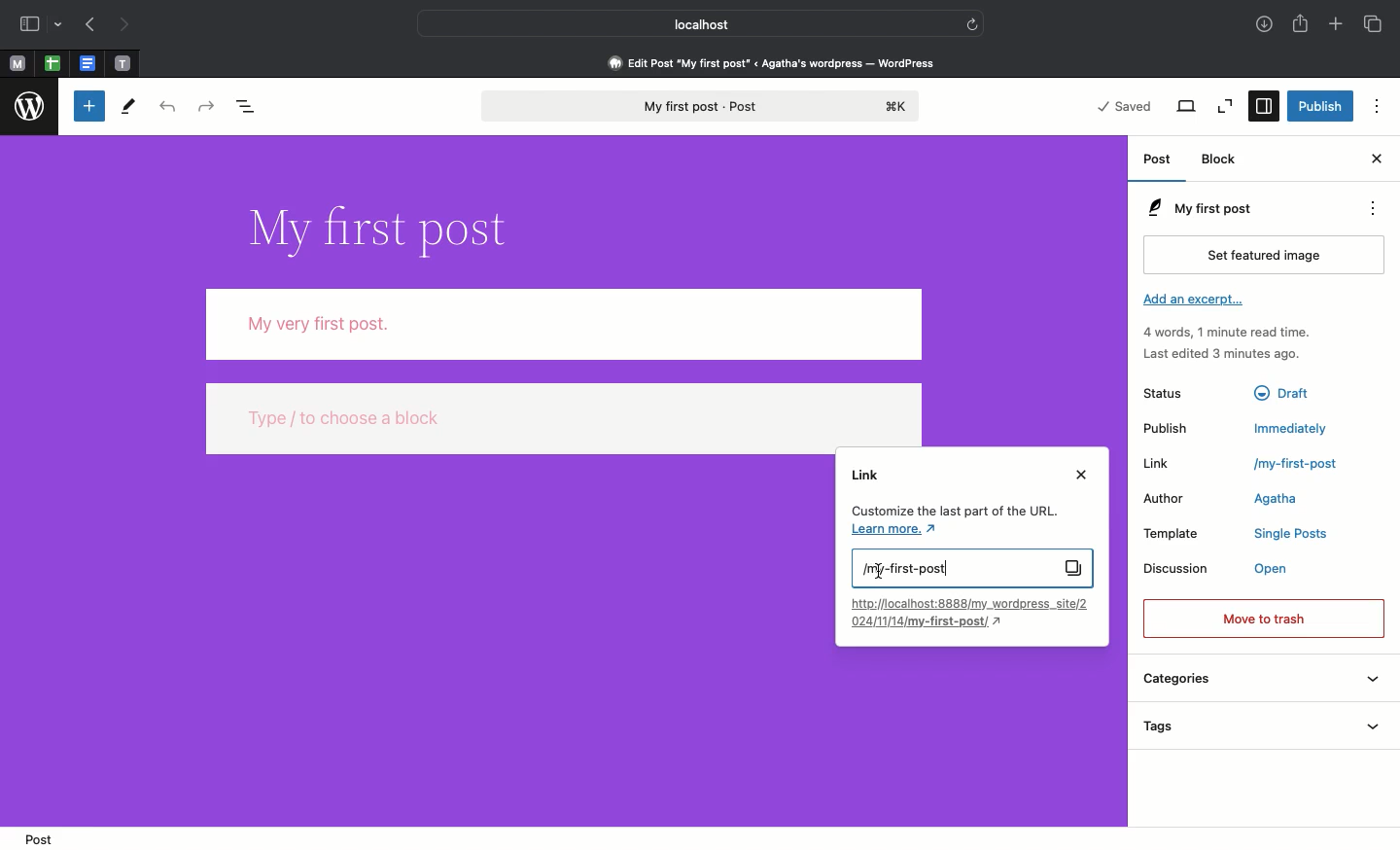  What do you see at coordinates (1226, 160) in the screenshot?
I see `Block` at bounding box center [1226, 160].